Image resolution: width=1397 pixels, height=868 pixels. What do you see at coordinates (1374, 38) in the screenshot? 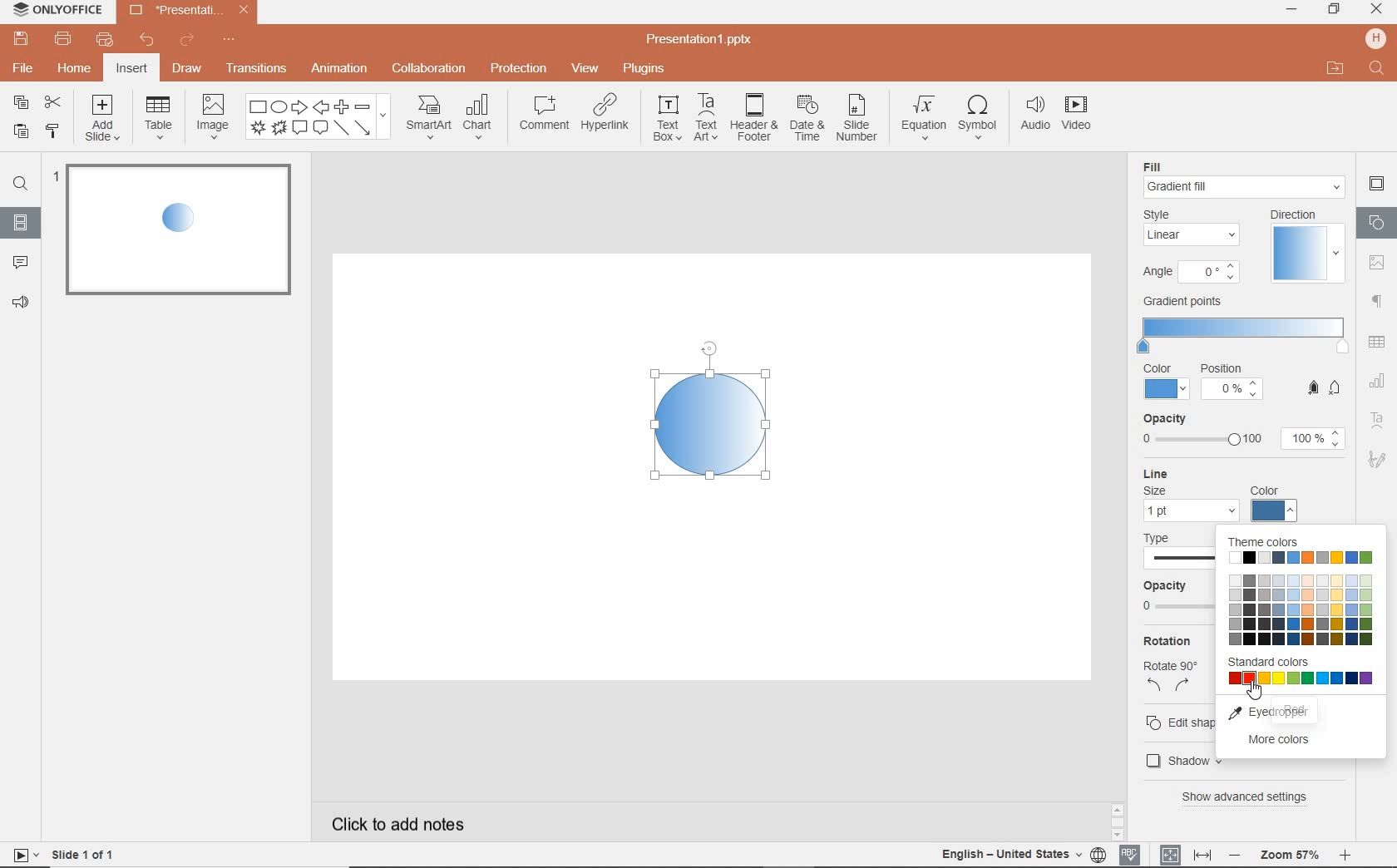
I see `hp` at bounding box center [1374, 38].